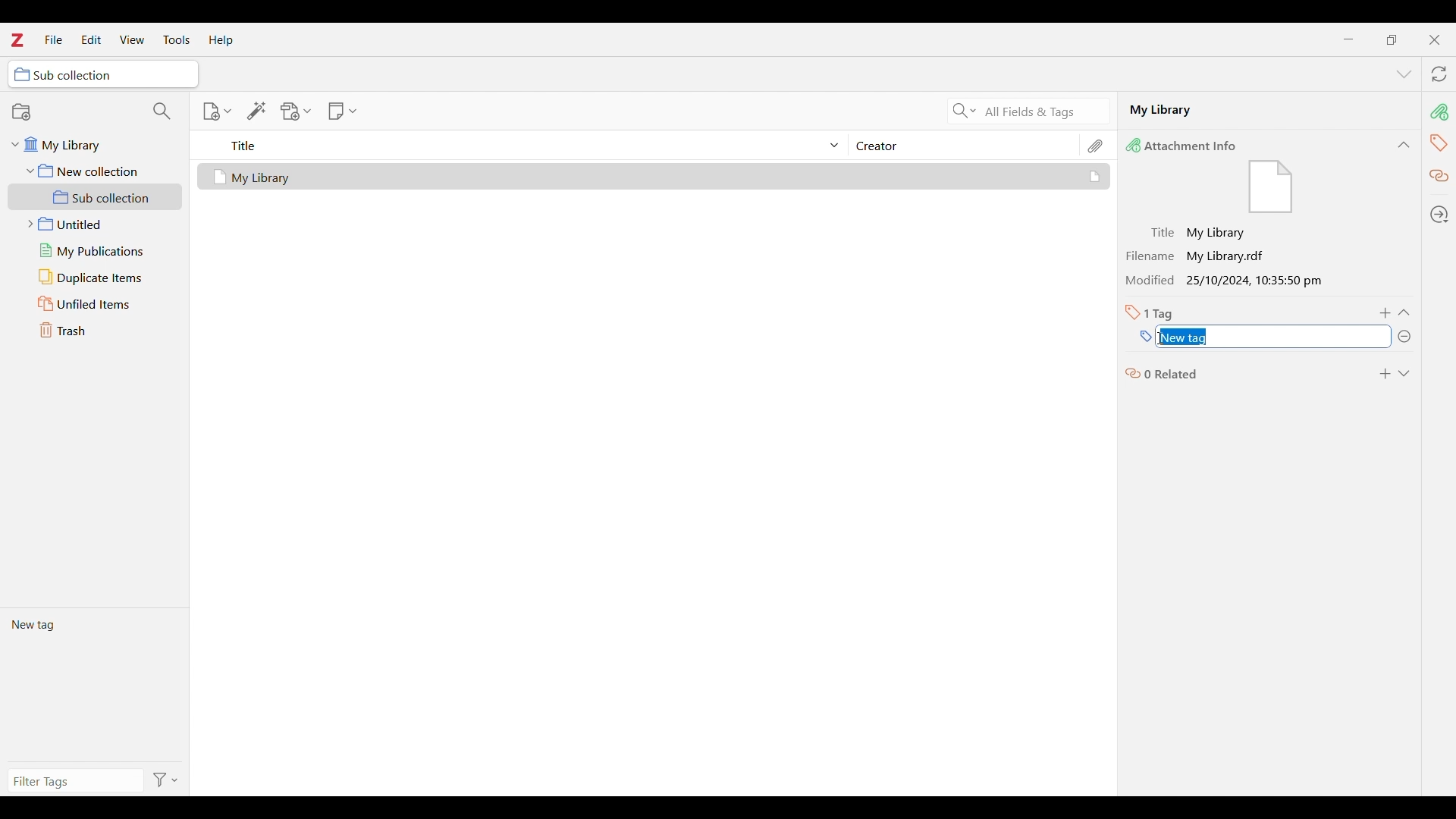  What do you see at coordinates (528, 145) in the screenshot?
I see `Sort title column` at bounding box center [528, 145].